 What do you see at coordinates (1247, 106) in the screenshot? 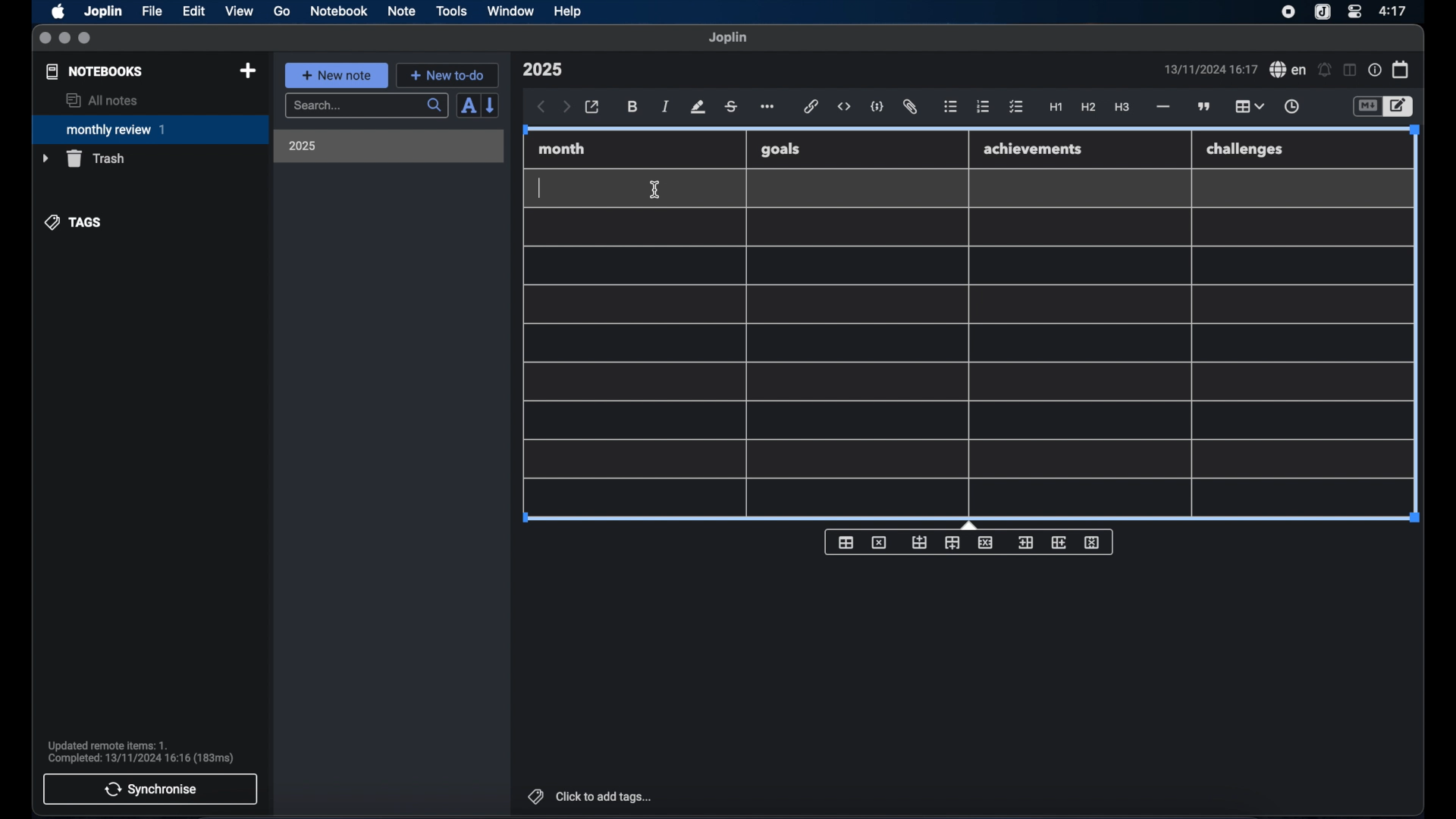
I see `table highlighted` at bounding box center [1247, 106].